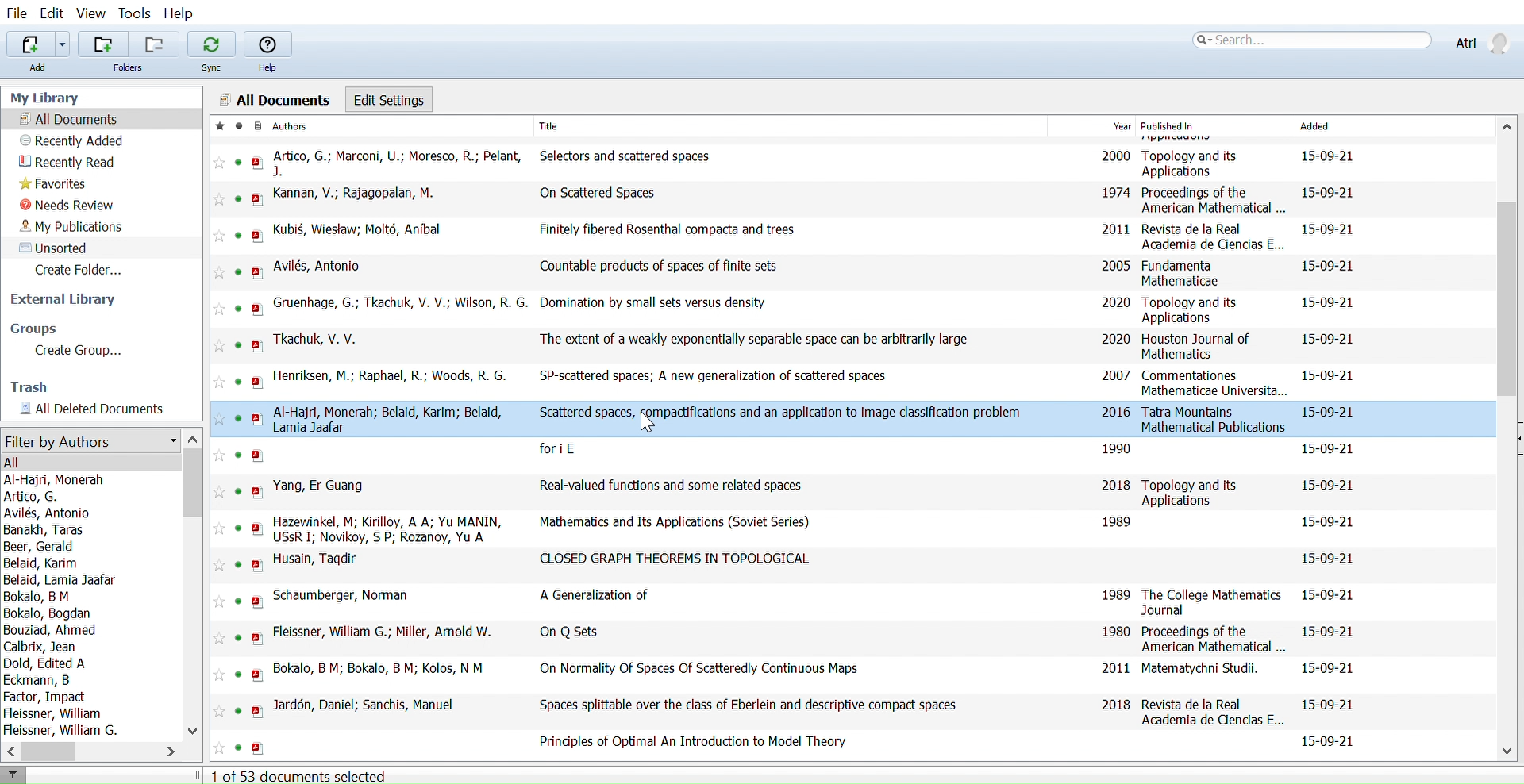 This screenshot has height=784, width=1524. What do you see at coordinates (90, 440) in the screenshot?
I see `Filtering options` at bounding box center [90, 440].